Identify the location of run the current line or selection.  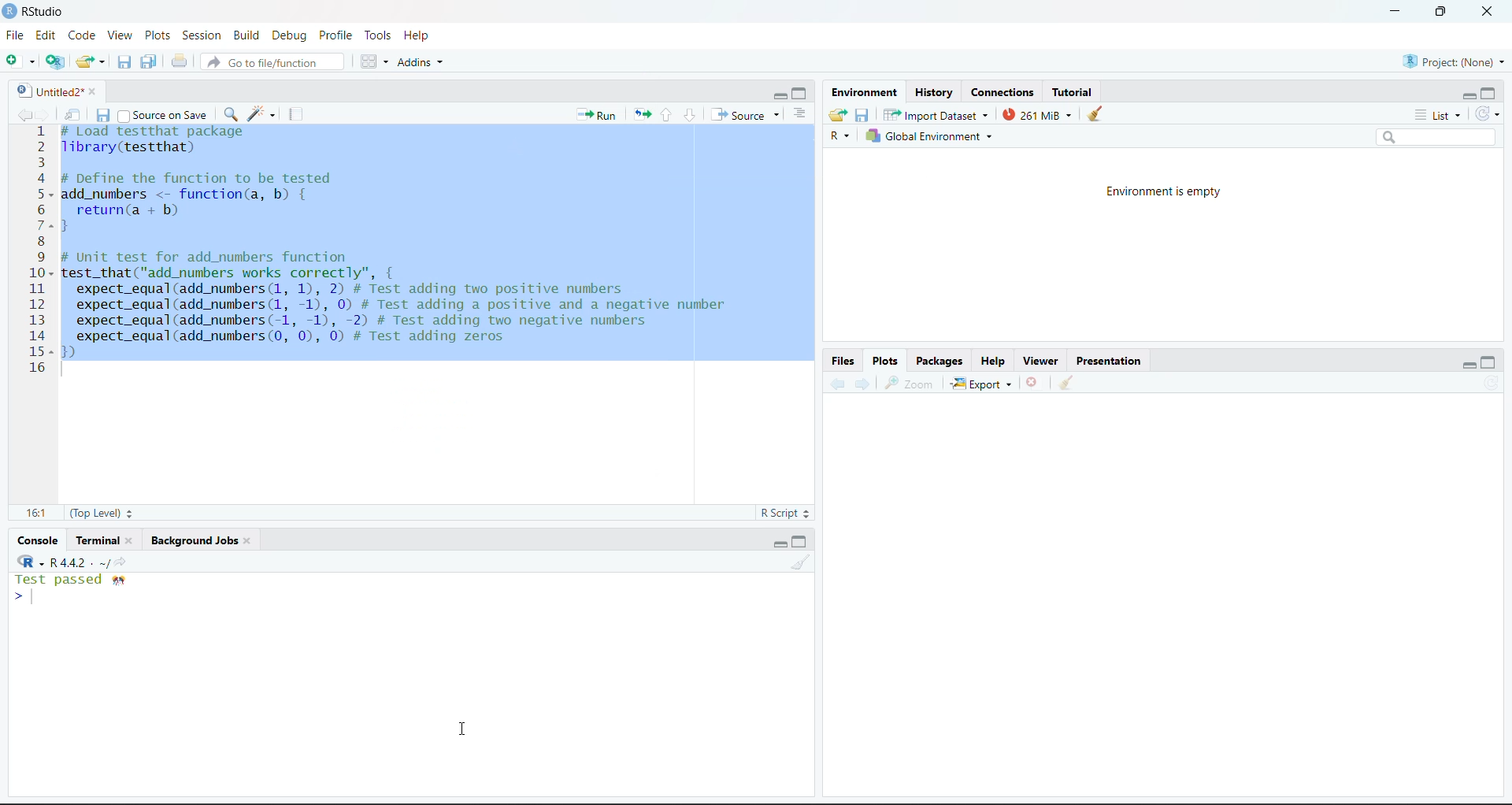
(599, 113).